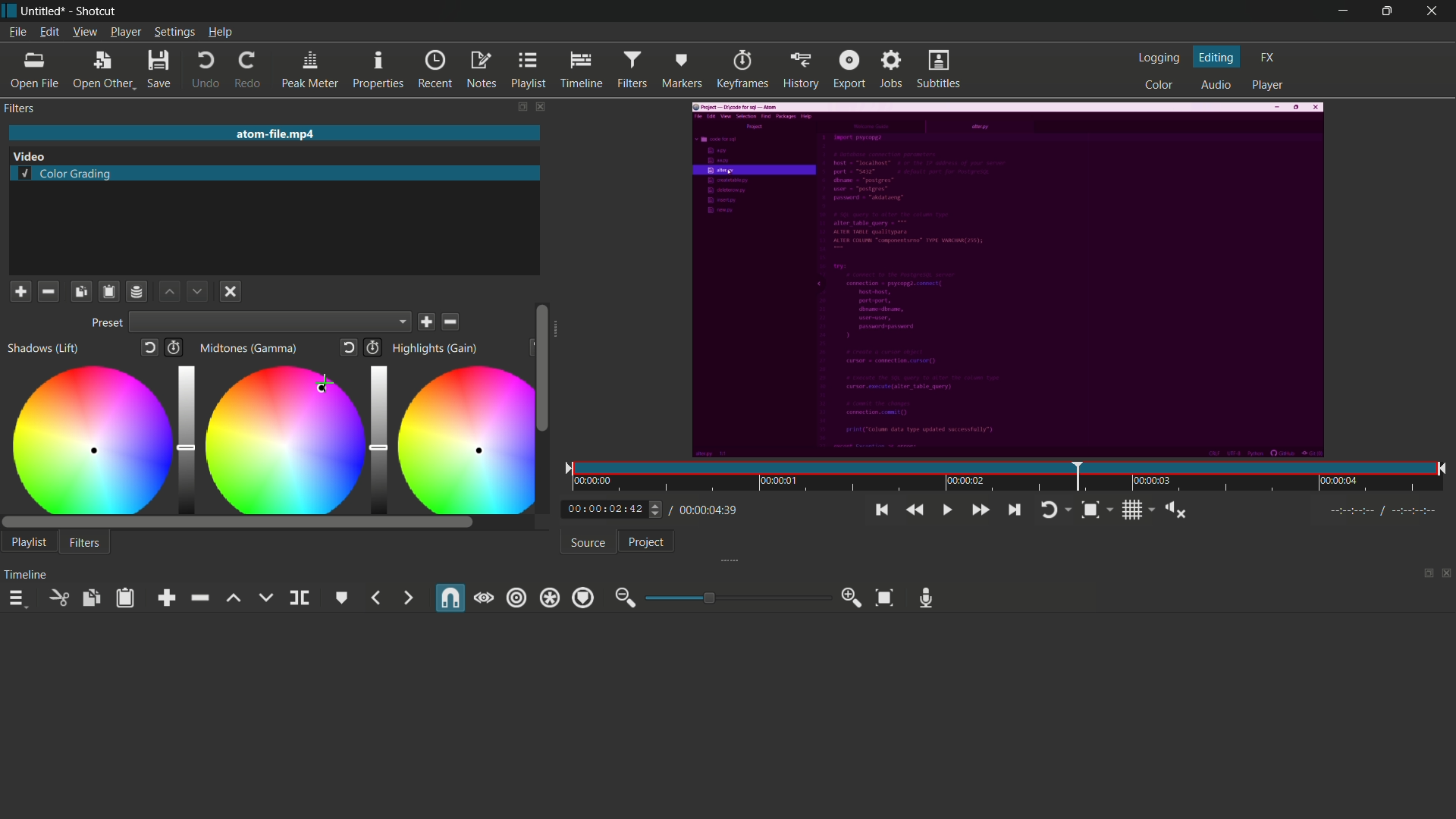  What do you see at coordinates (948, 510) in the screenshot?
I see `toggle play or pause` at bounding box center [948, 510].